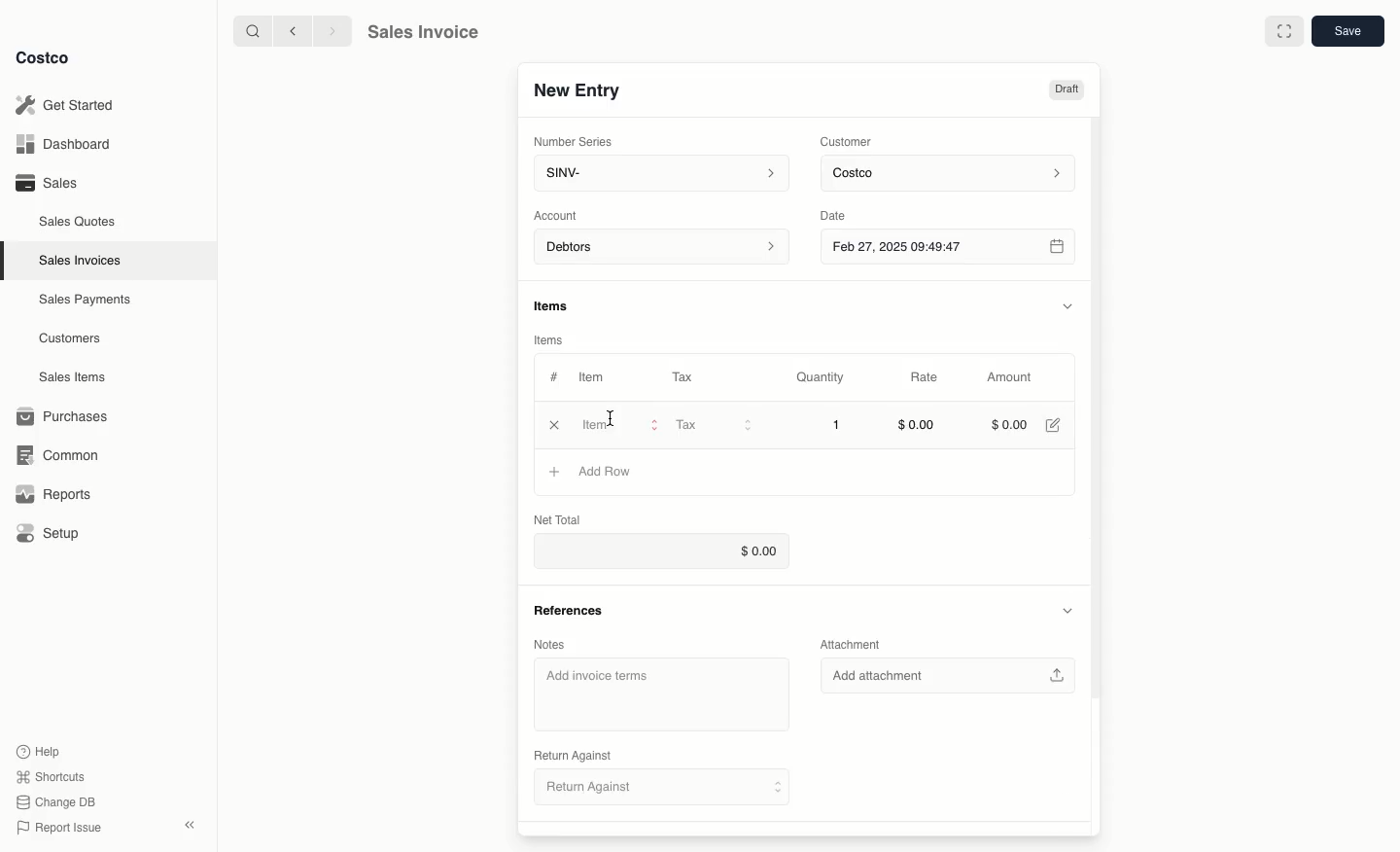  What do you see at coordinates (75, 375) in the screenshot?
I see `Sales Items` at bounding box center [75, 375].